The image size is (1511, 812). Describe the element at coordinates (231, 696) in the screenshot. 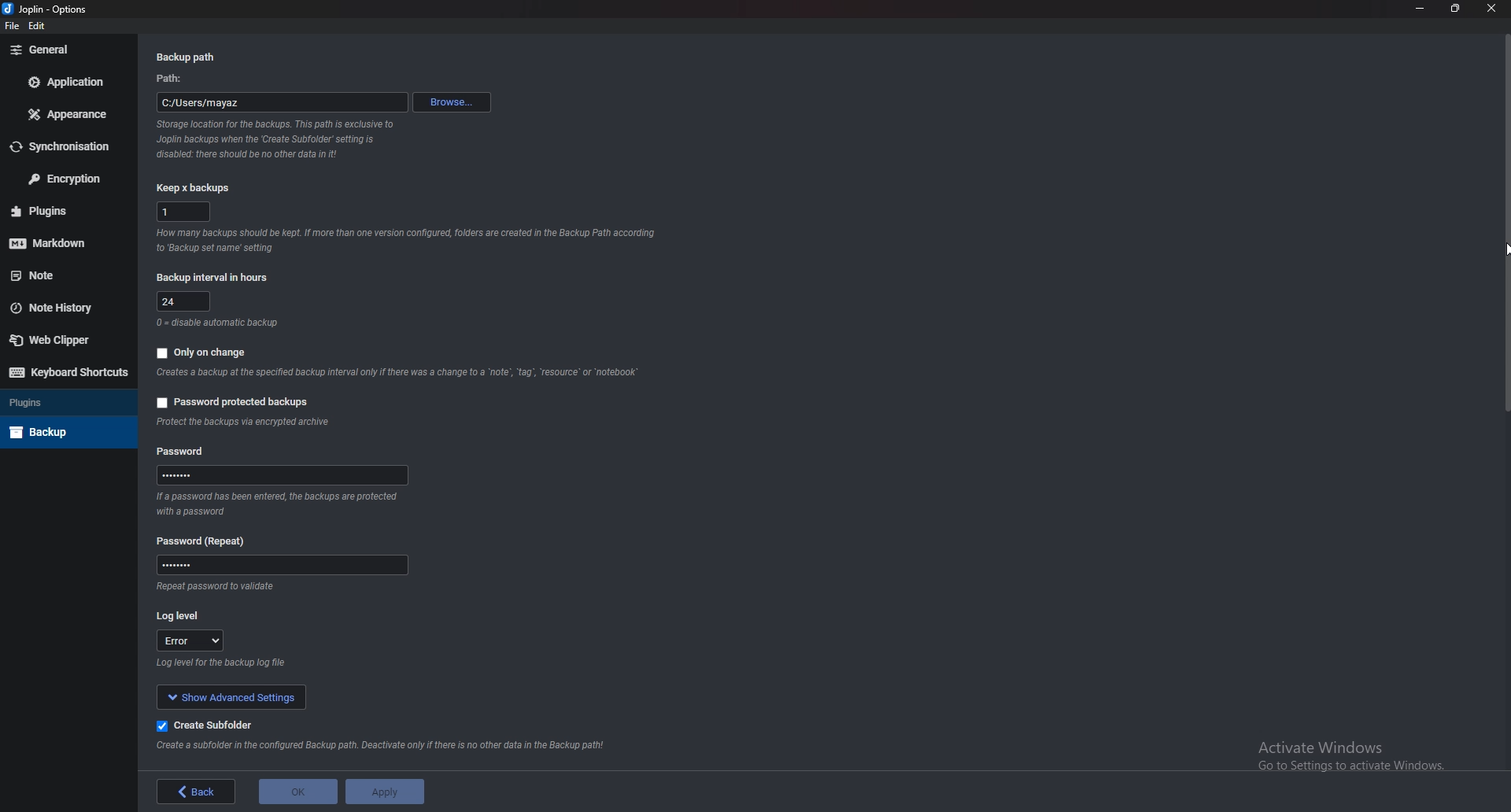

I see `show advanced settings` at that location.